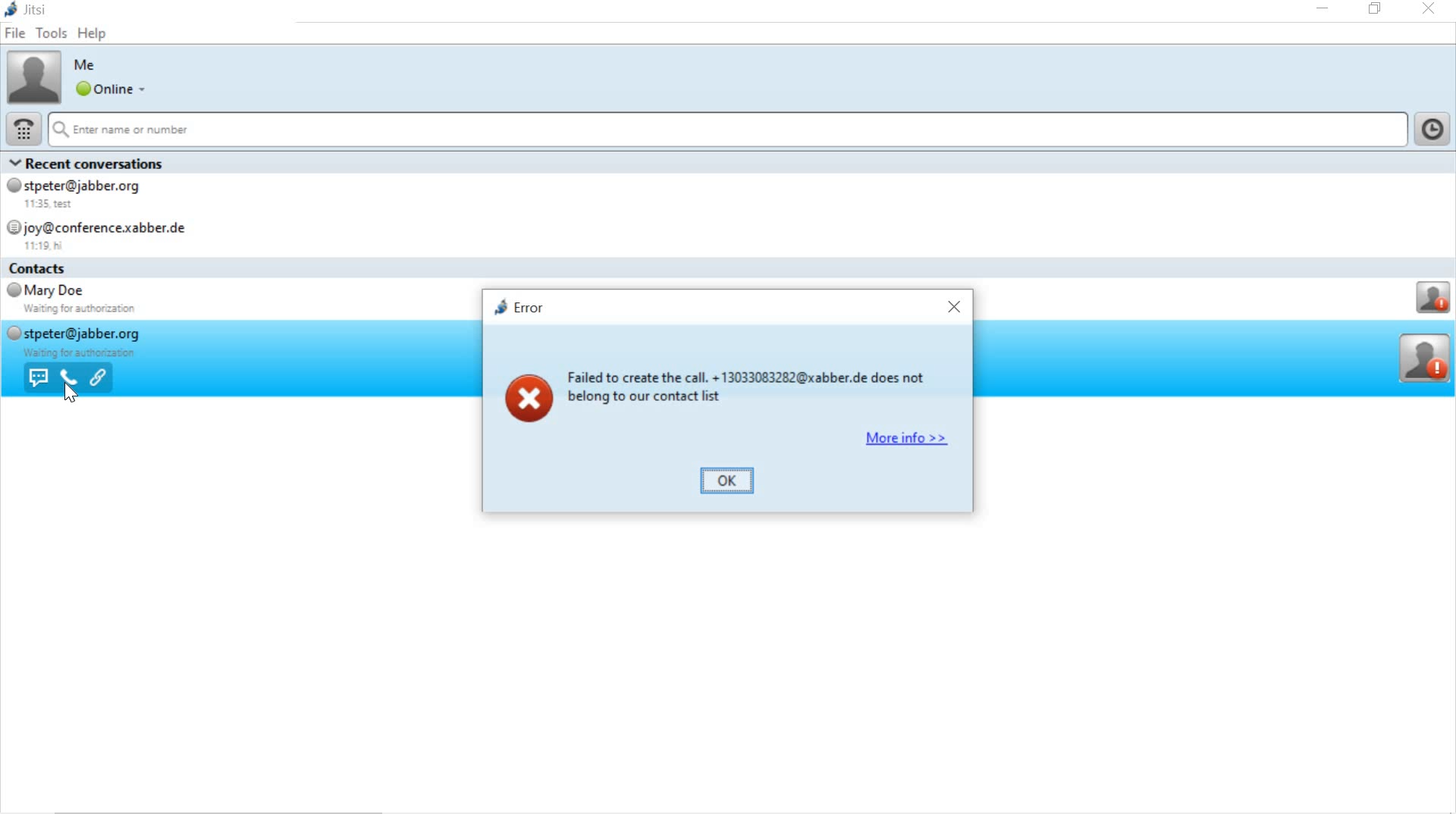  Describe the element at coordinates (16, 35) in the screenshot. I see `file` at that location.